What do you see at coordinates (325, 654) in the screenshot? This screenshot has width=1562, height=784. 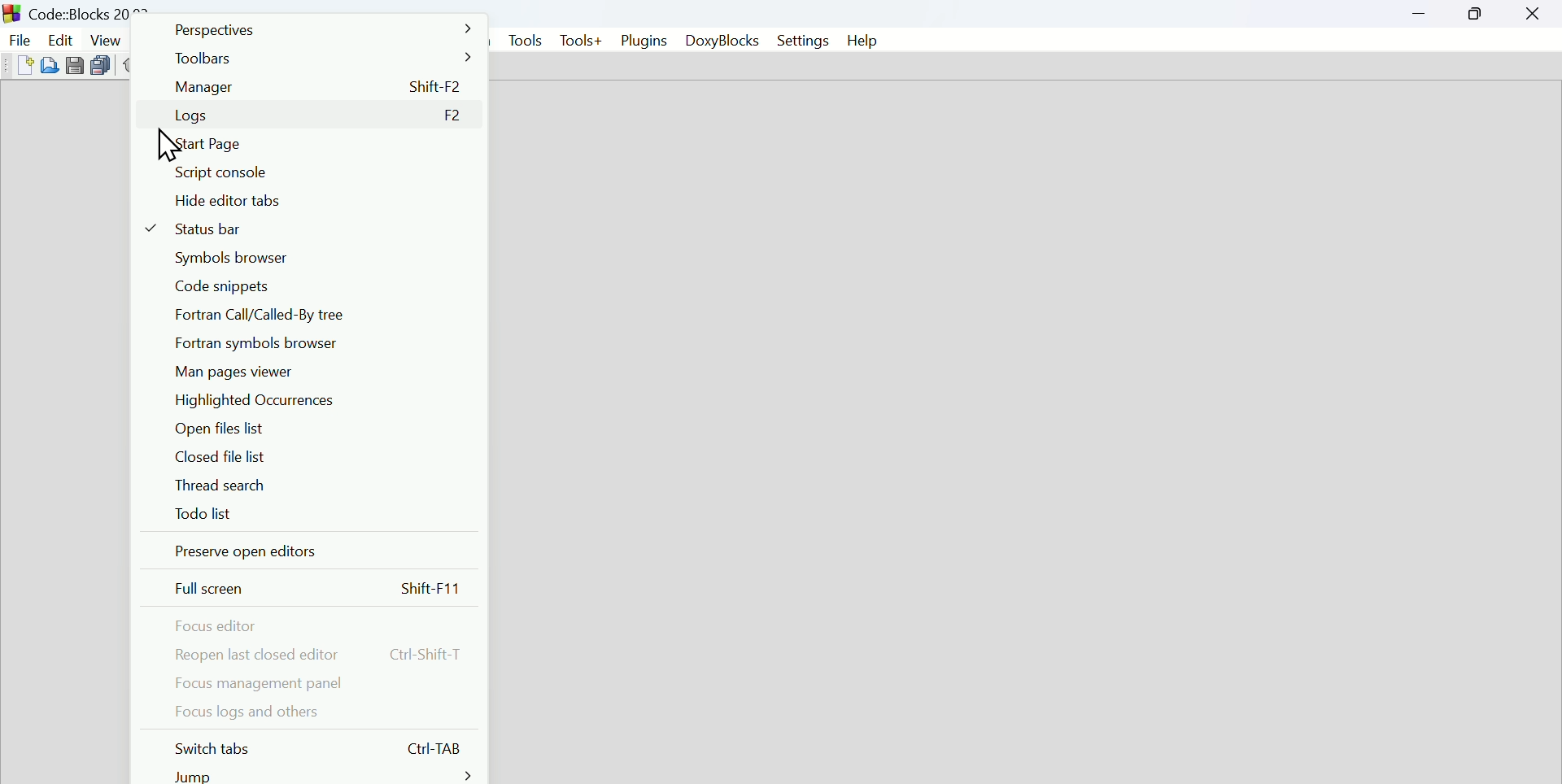 I see `Reopen last closed dinner` at bounding box center [325, 654].